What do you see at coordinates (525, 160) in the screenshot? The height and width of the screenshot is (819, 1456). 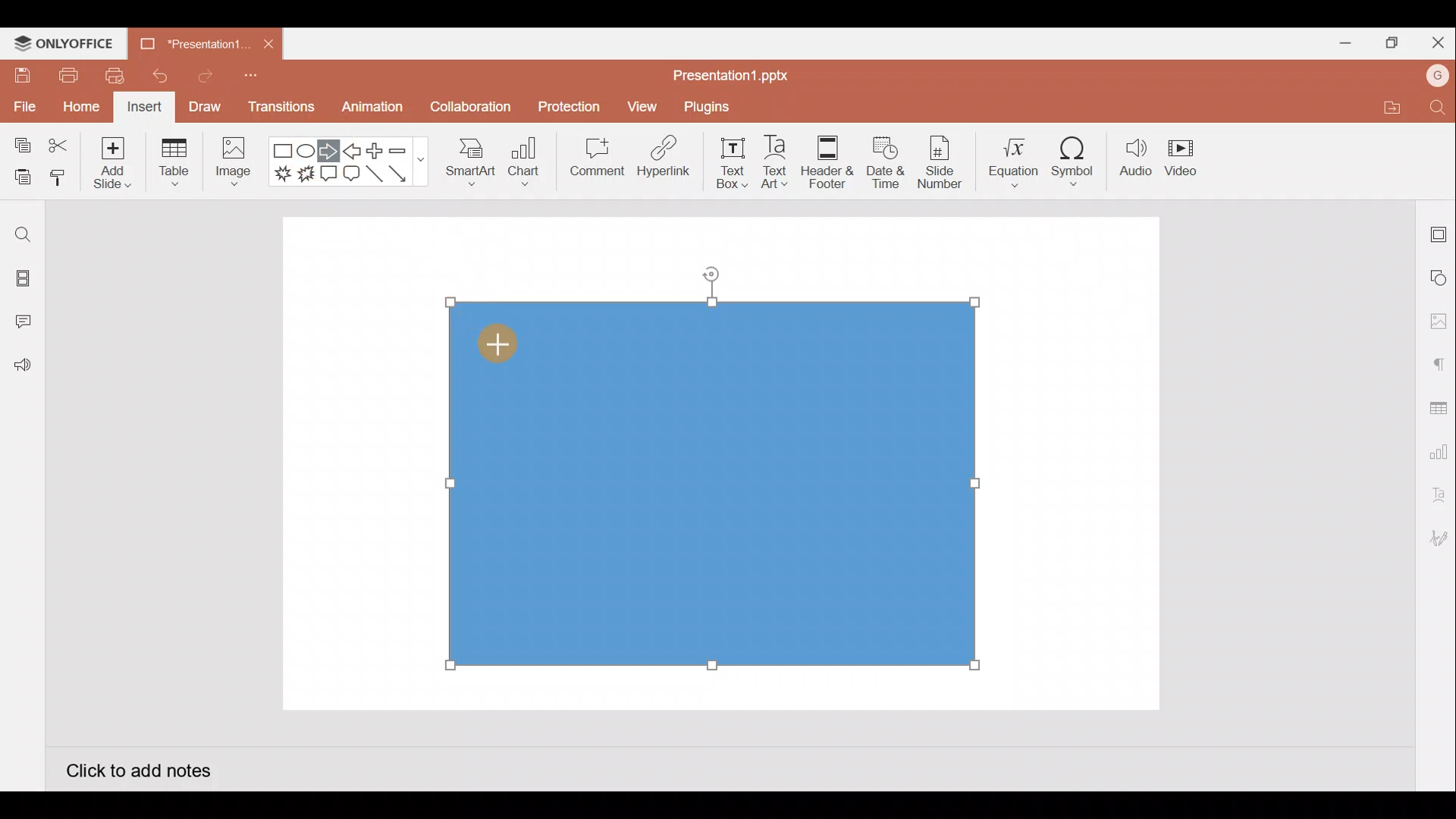 I see `Chart` at bounding box center [525, 160].